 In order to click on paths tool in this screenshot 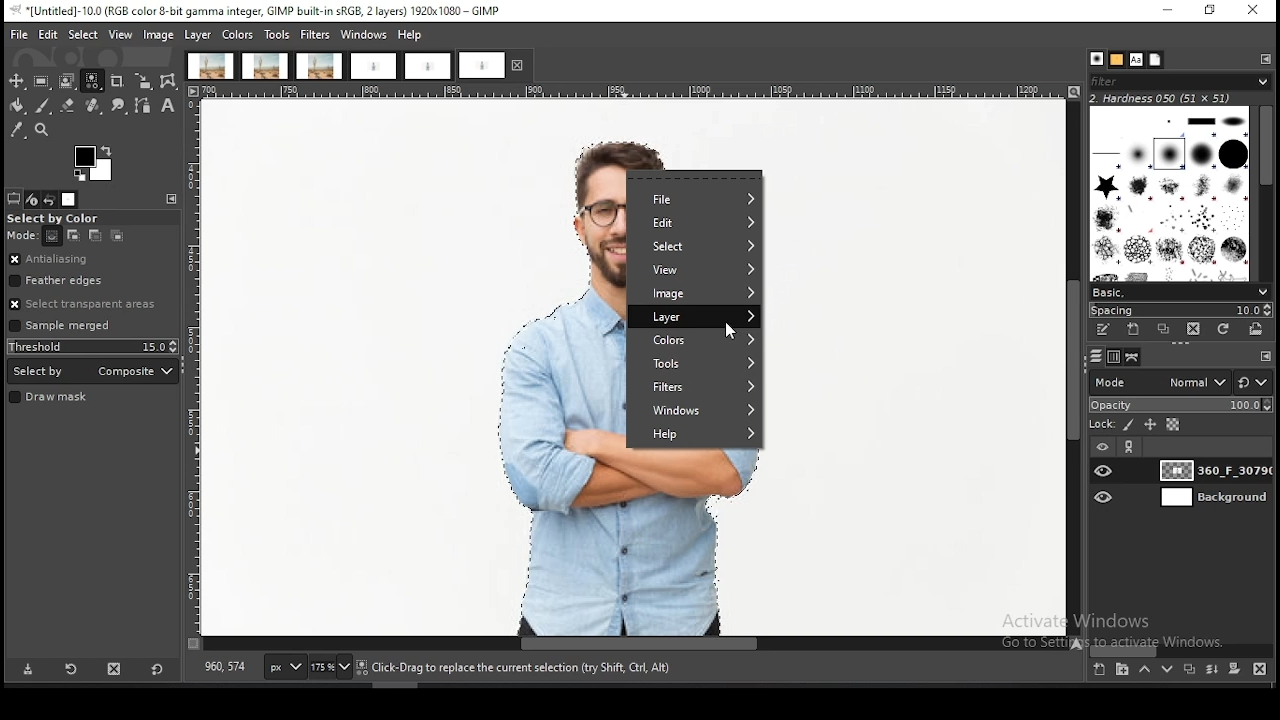, I will do `click(145, 107)`.